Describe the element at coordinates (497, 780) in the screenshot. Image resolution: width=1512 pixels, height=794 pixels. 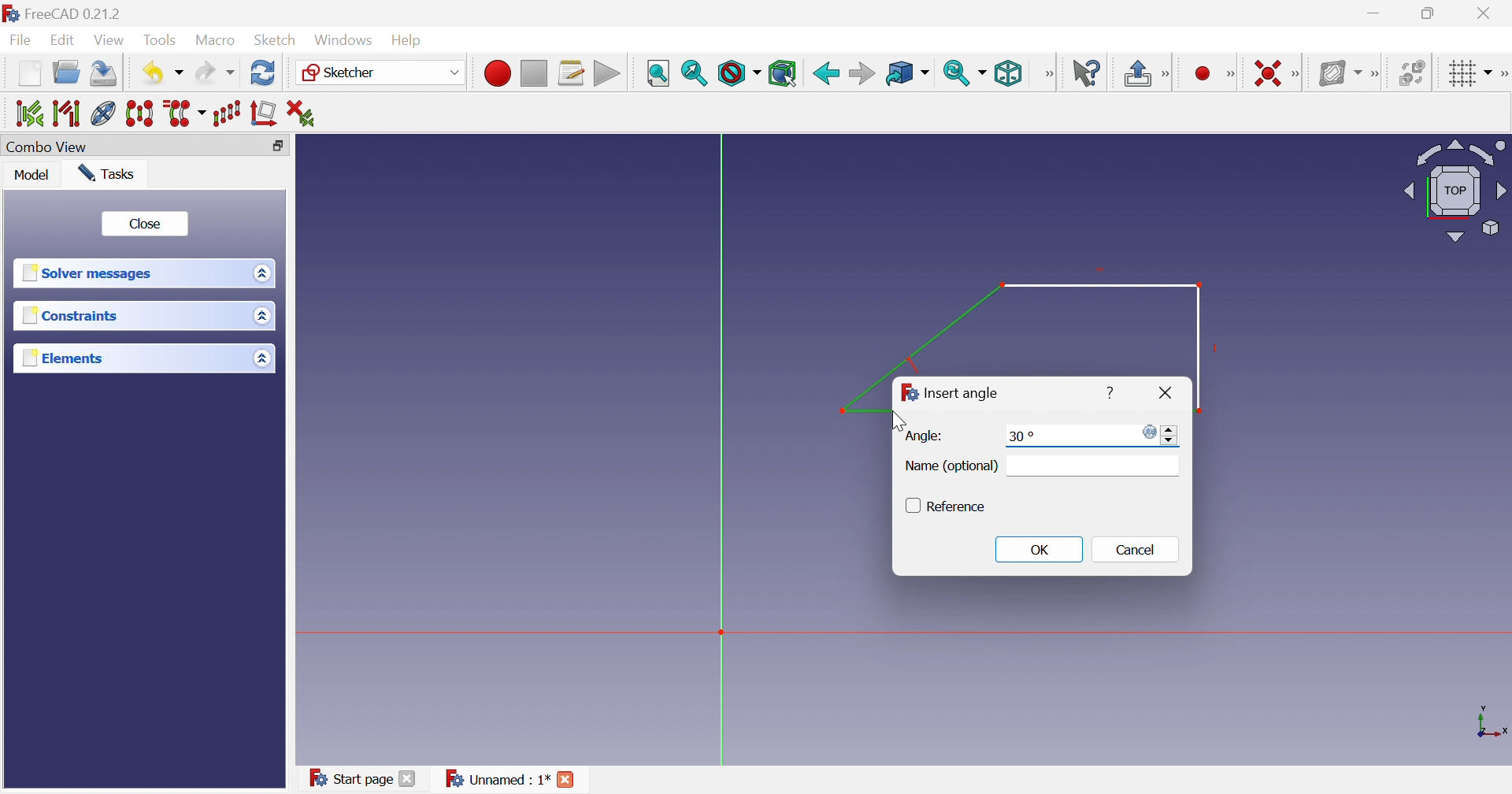
I see `Unnamed : 1*` at that location.